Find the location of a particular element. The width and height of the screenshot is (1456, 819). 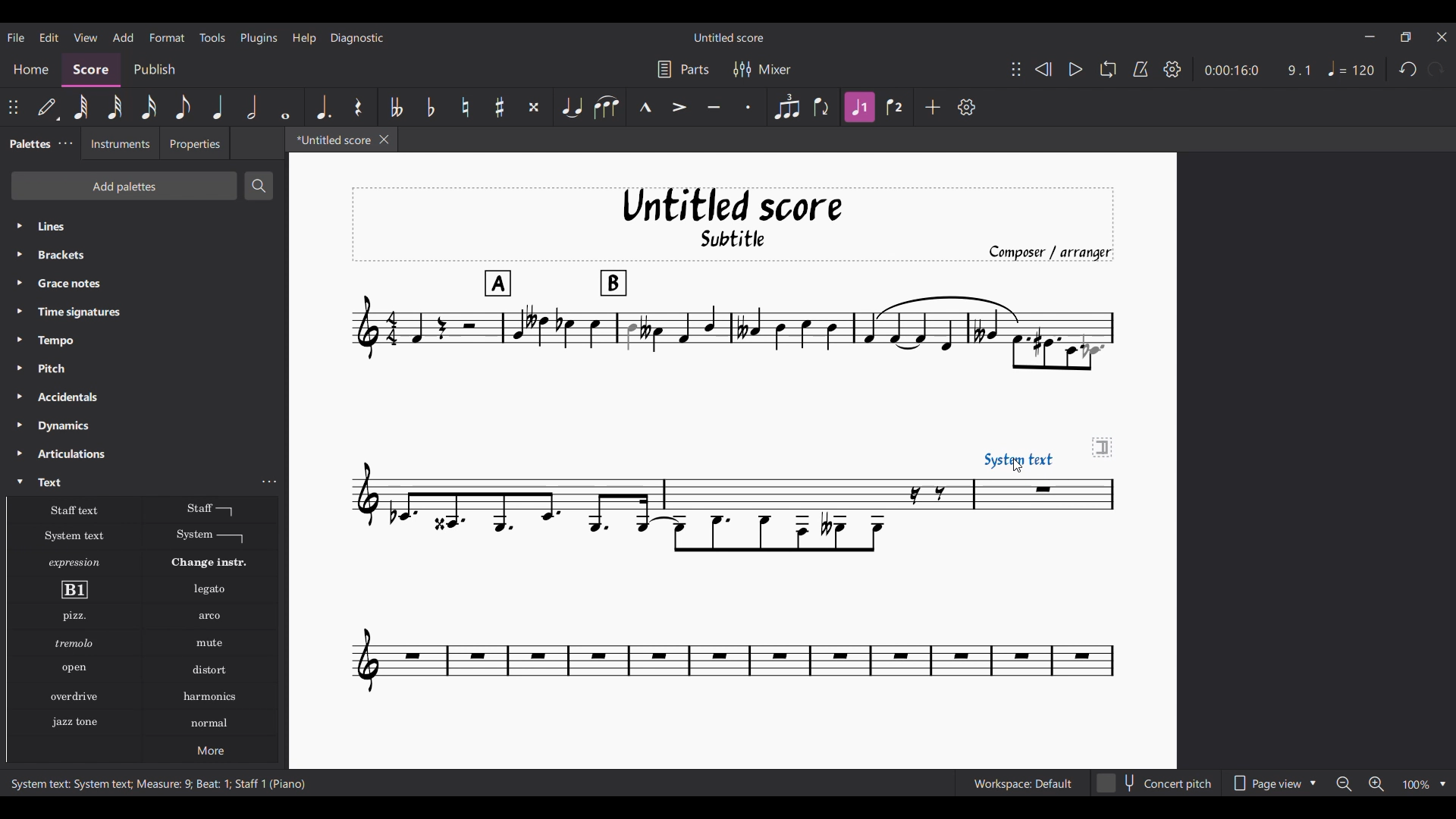

Search is located at coordinates (257, 186).